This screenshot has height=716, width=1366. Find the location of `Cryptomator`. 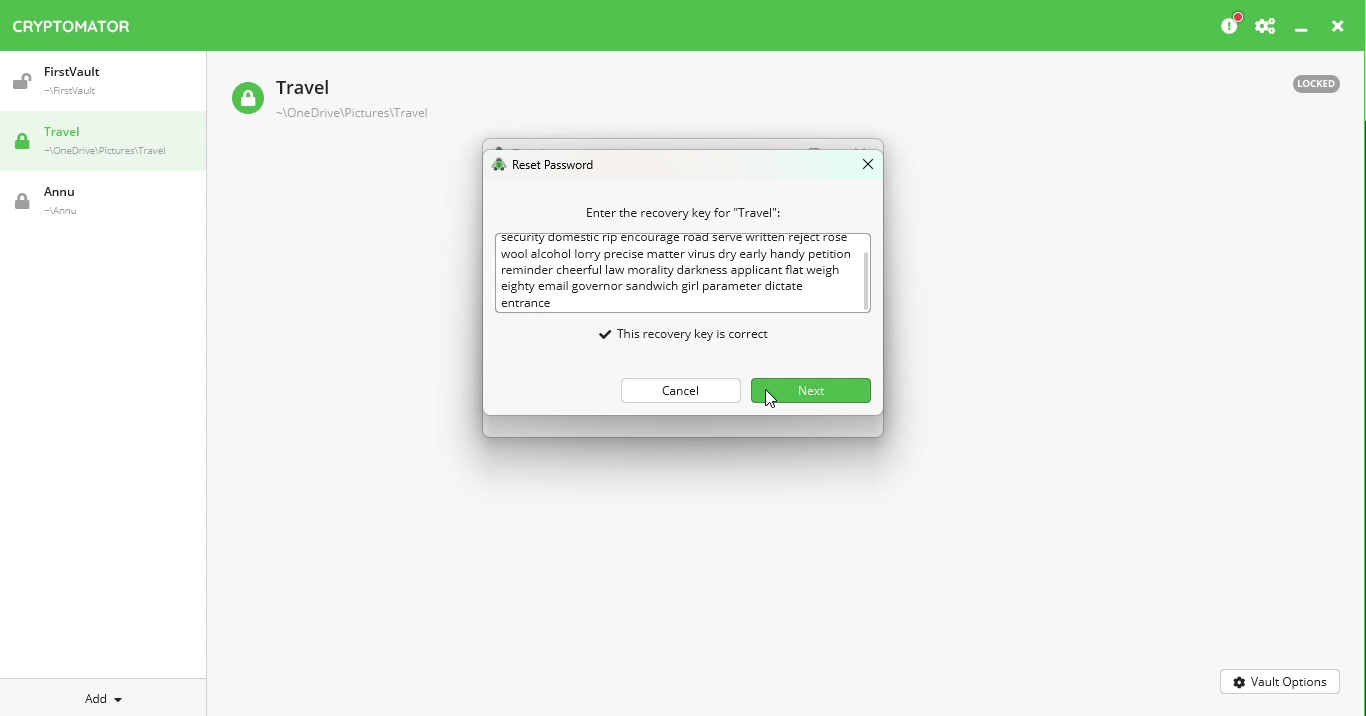

Cryptomator is located at coordinates (72, 22).